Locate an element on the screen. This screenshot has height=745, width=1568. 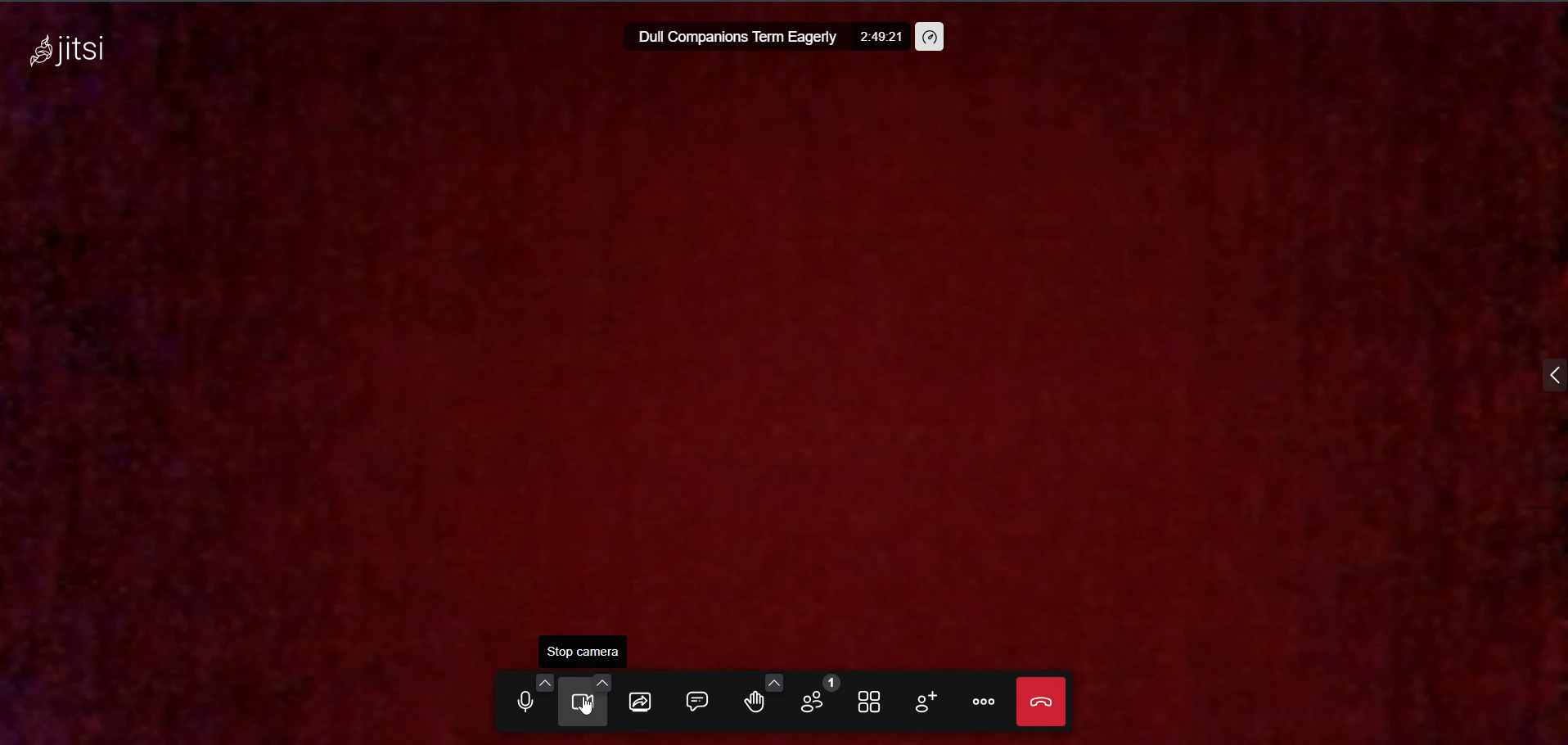
leave the meeting is located at coordinates (1039, 700).